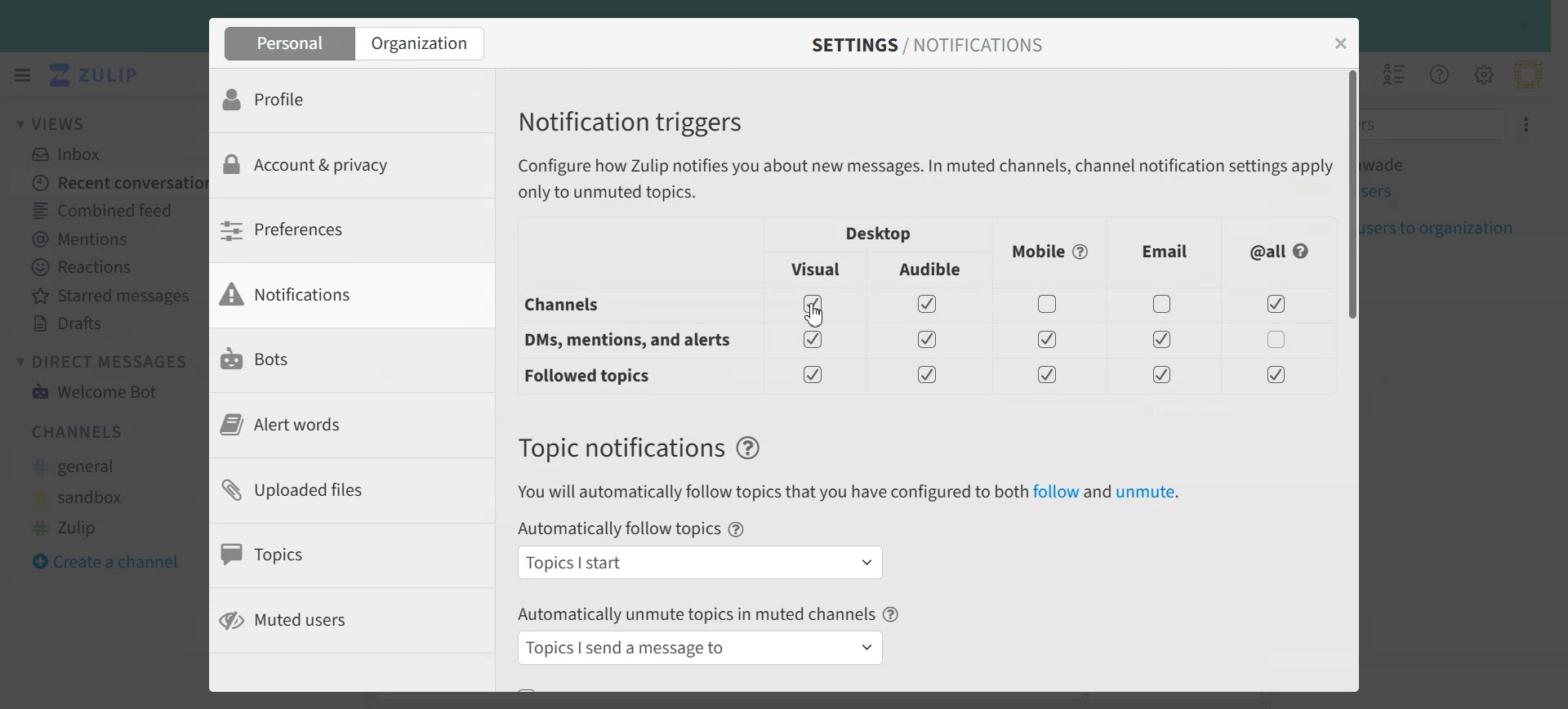  Describe the element at coordinates (74, 154) in the screenshot. I see `Inbox` at that location.